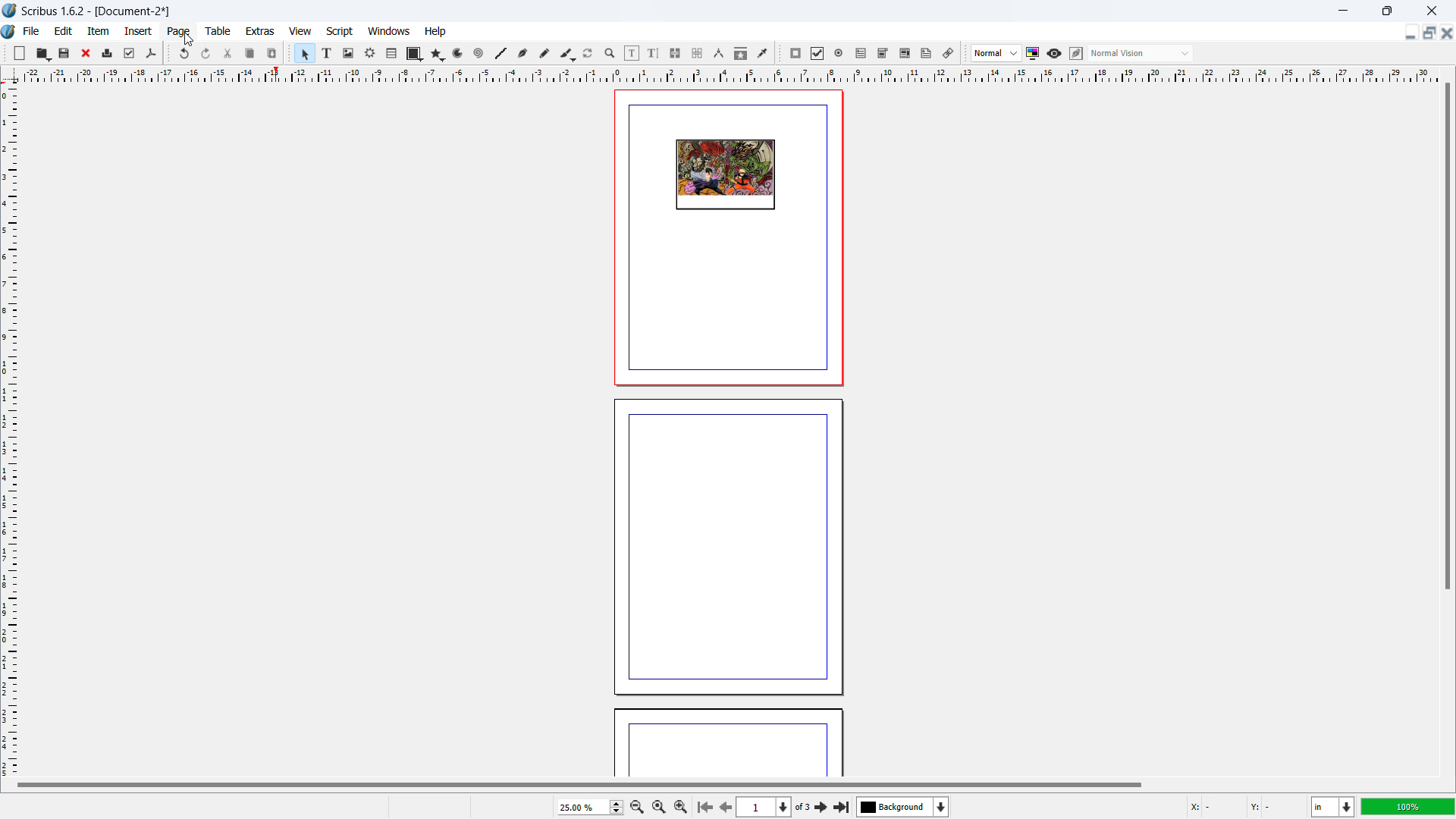 The image size is (1456, 819). Describe the element at coordinates (1054, 54) in the screenshot. I see `preview mode` at that location.